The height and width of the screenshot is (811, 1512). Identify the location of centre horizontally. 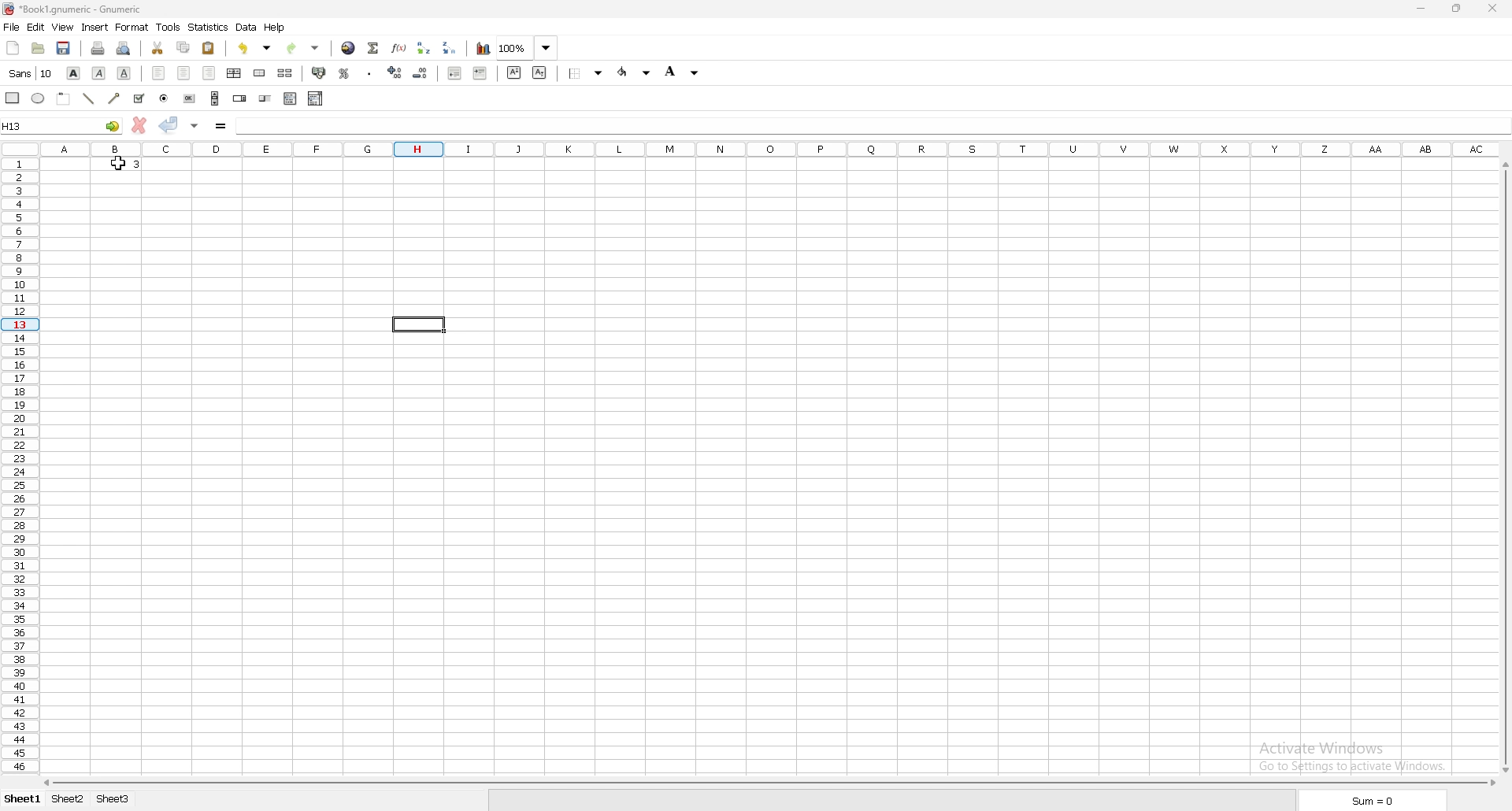
(235, 72).